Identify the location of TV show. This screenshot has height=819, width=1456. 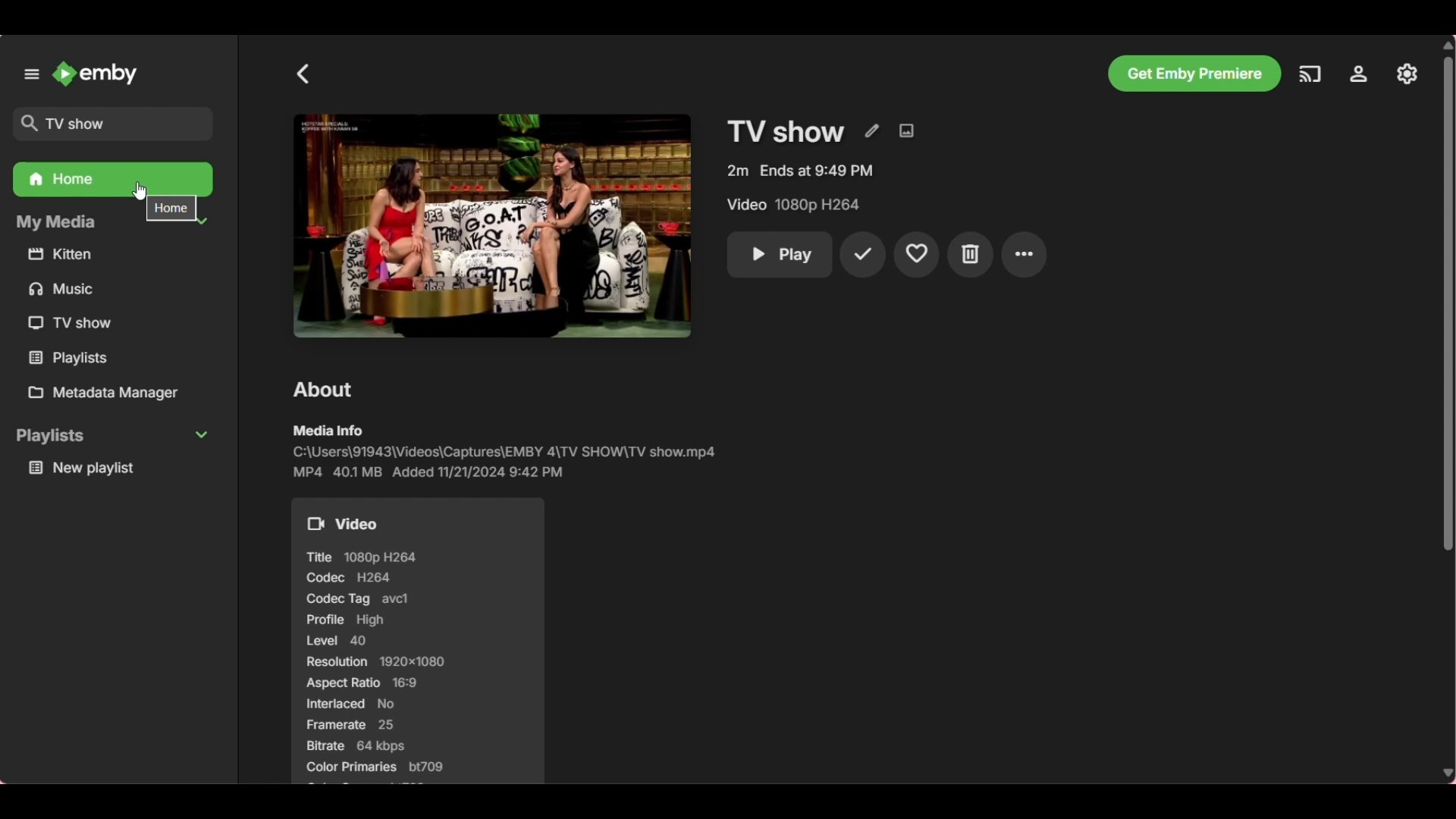
(77, 322).